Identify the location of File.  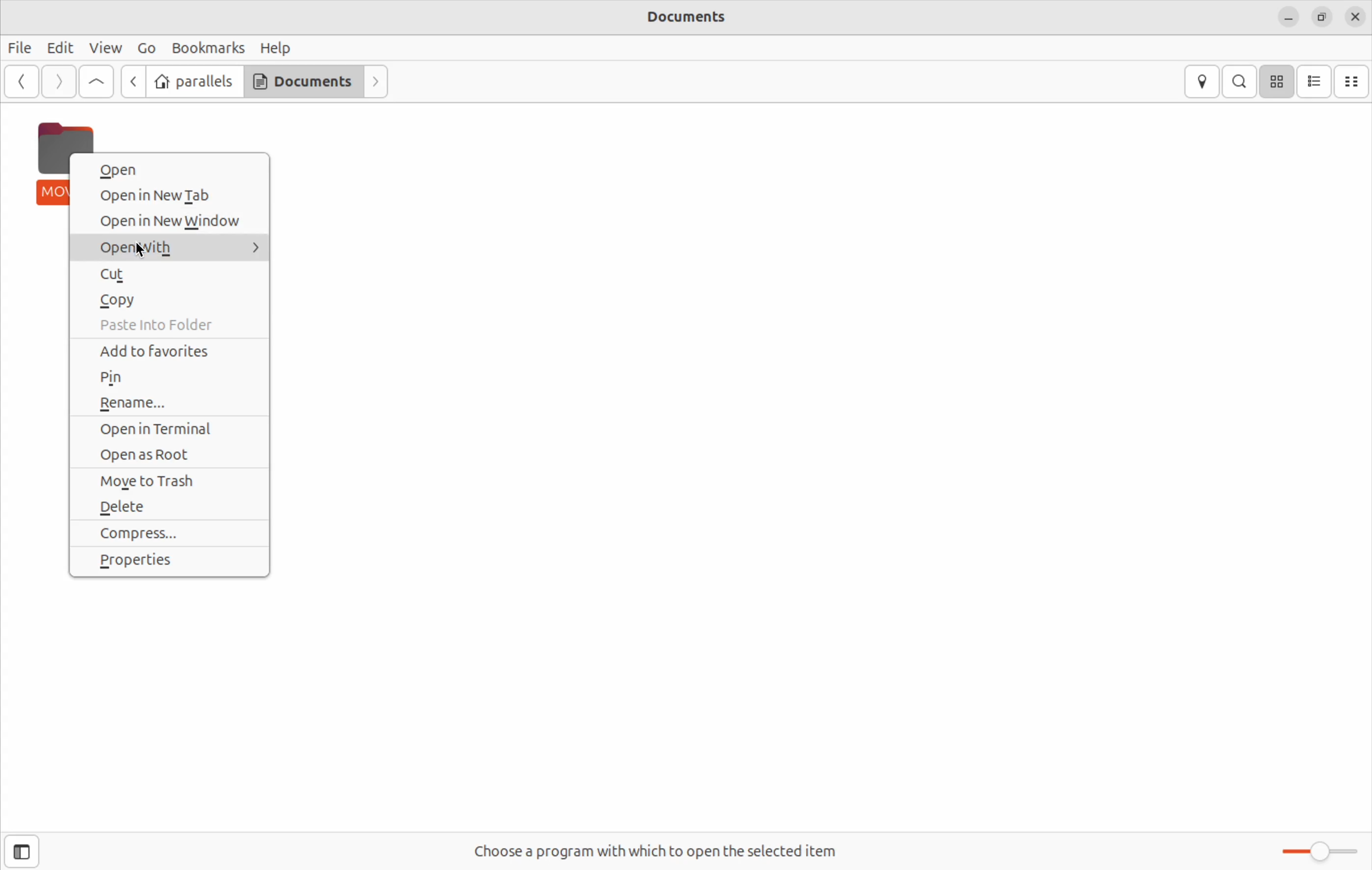
(21, 47).